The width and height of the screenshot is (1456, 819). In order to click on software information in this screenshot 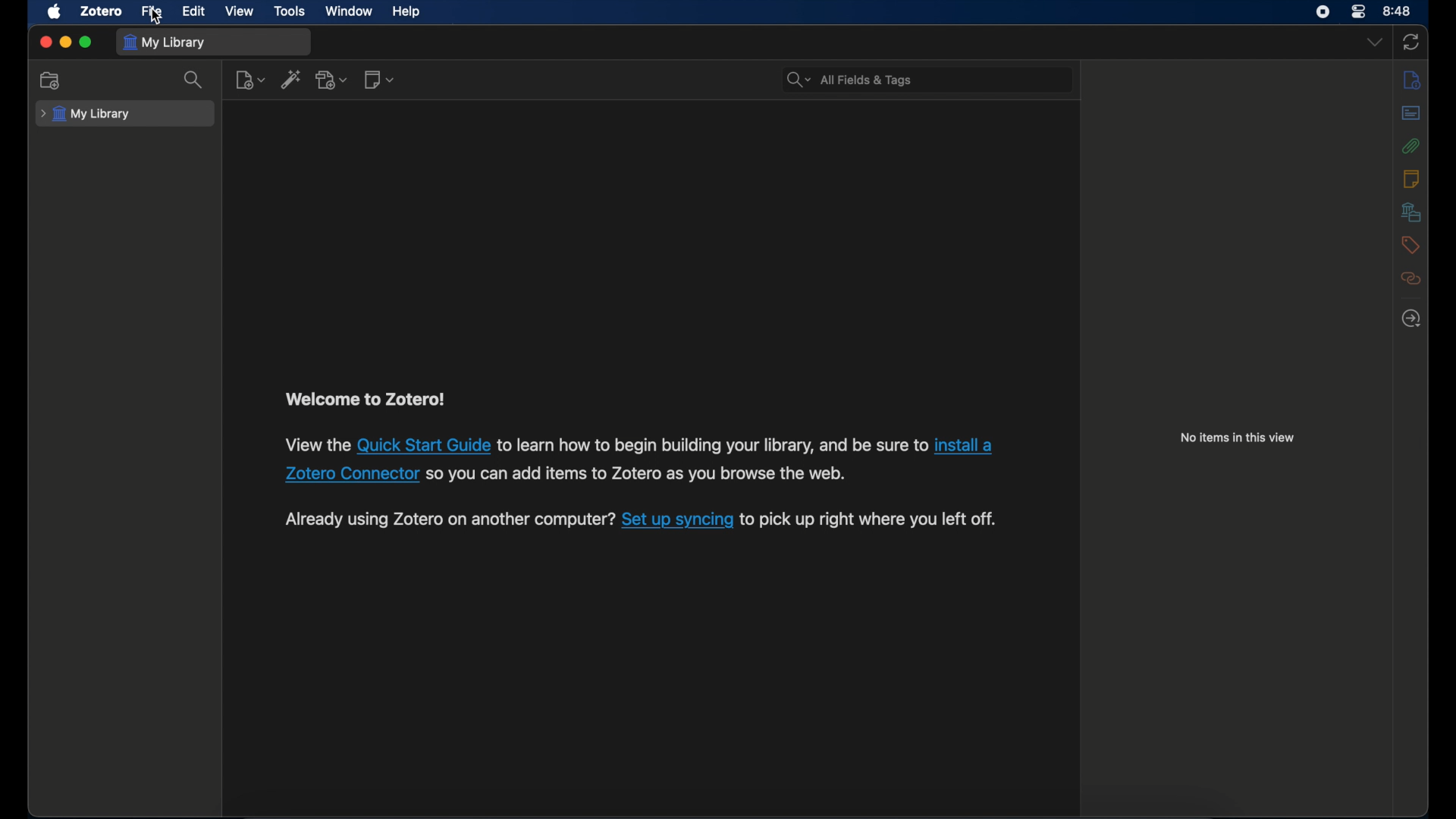, I will do `click(450, 520)`.